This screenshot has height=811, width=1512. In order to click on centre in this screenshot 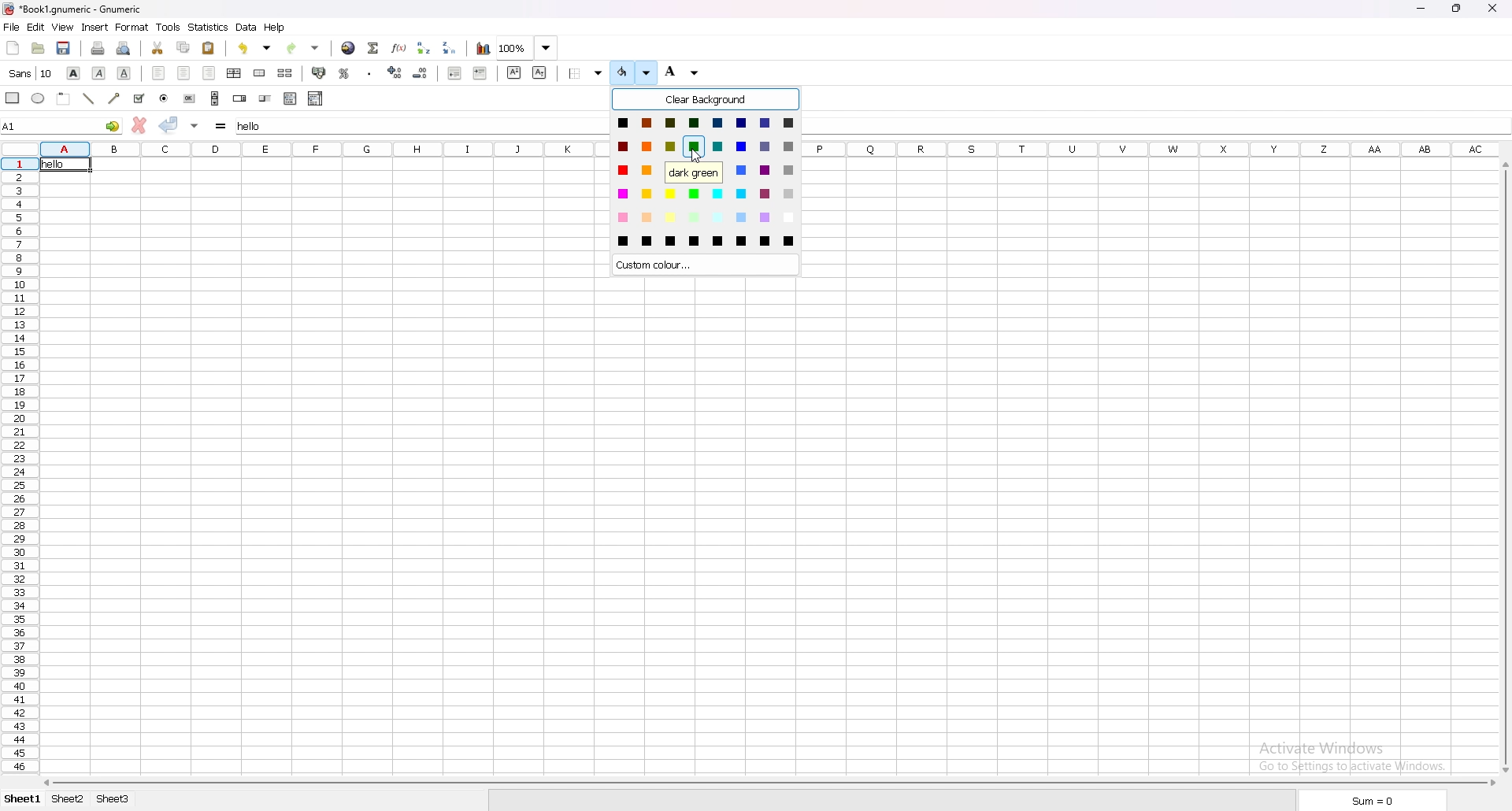, I will do `click(184, 73)`.